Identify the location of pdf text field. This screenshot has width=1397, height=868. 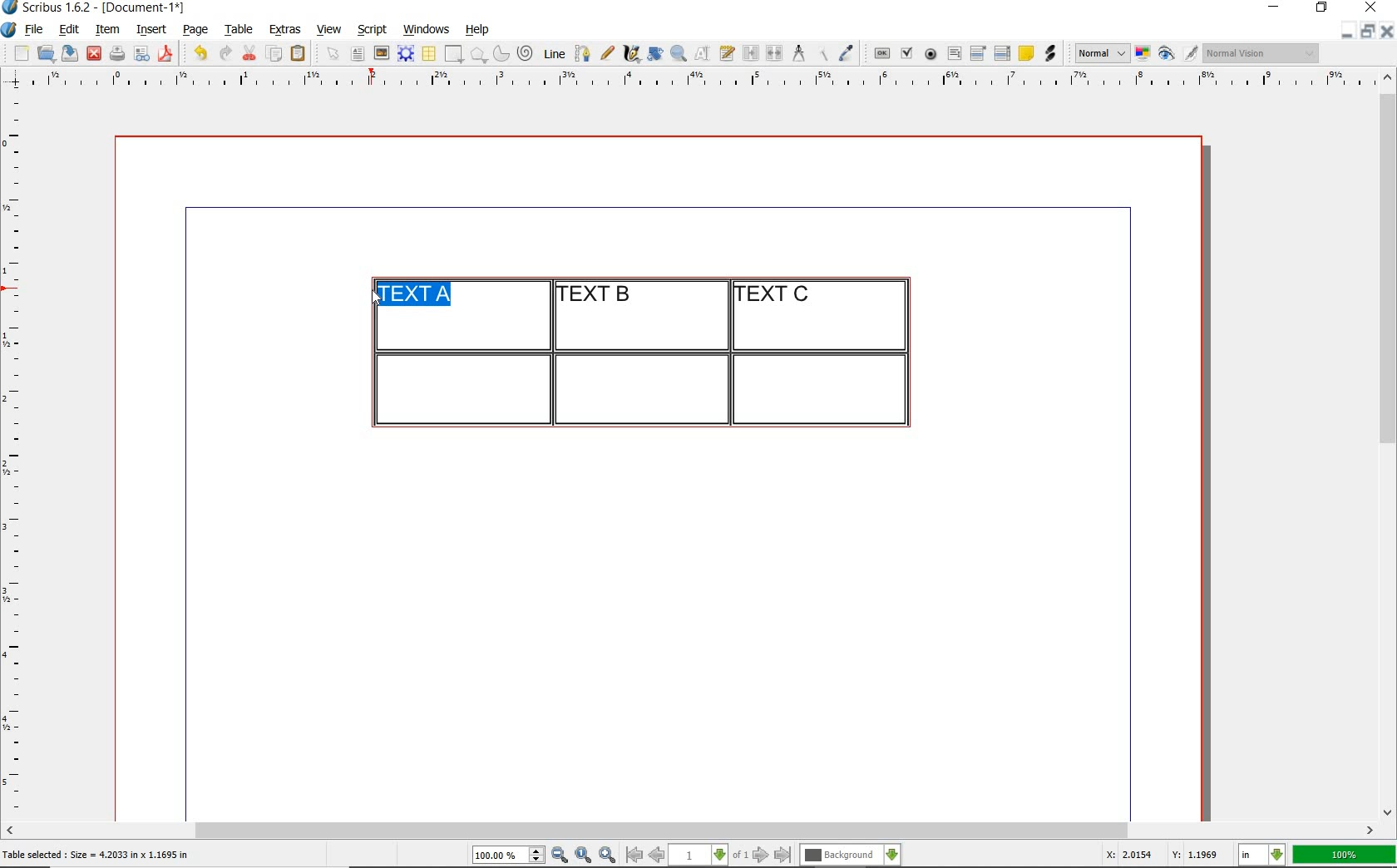
(954, 55).